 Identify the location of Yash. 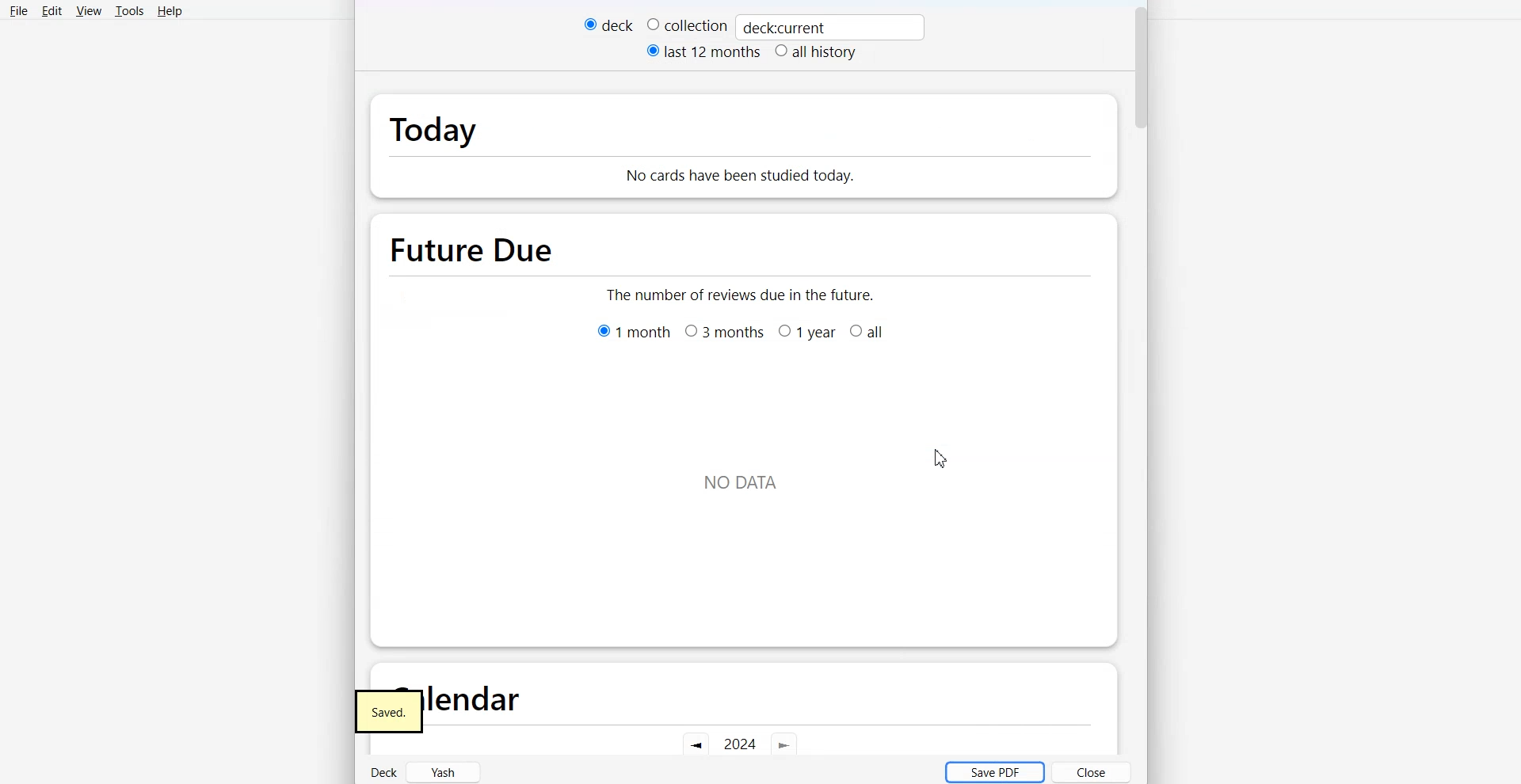
(445, 771).